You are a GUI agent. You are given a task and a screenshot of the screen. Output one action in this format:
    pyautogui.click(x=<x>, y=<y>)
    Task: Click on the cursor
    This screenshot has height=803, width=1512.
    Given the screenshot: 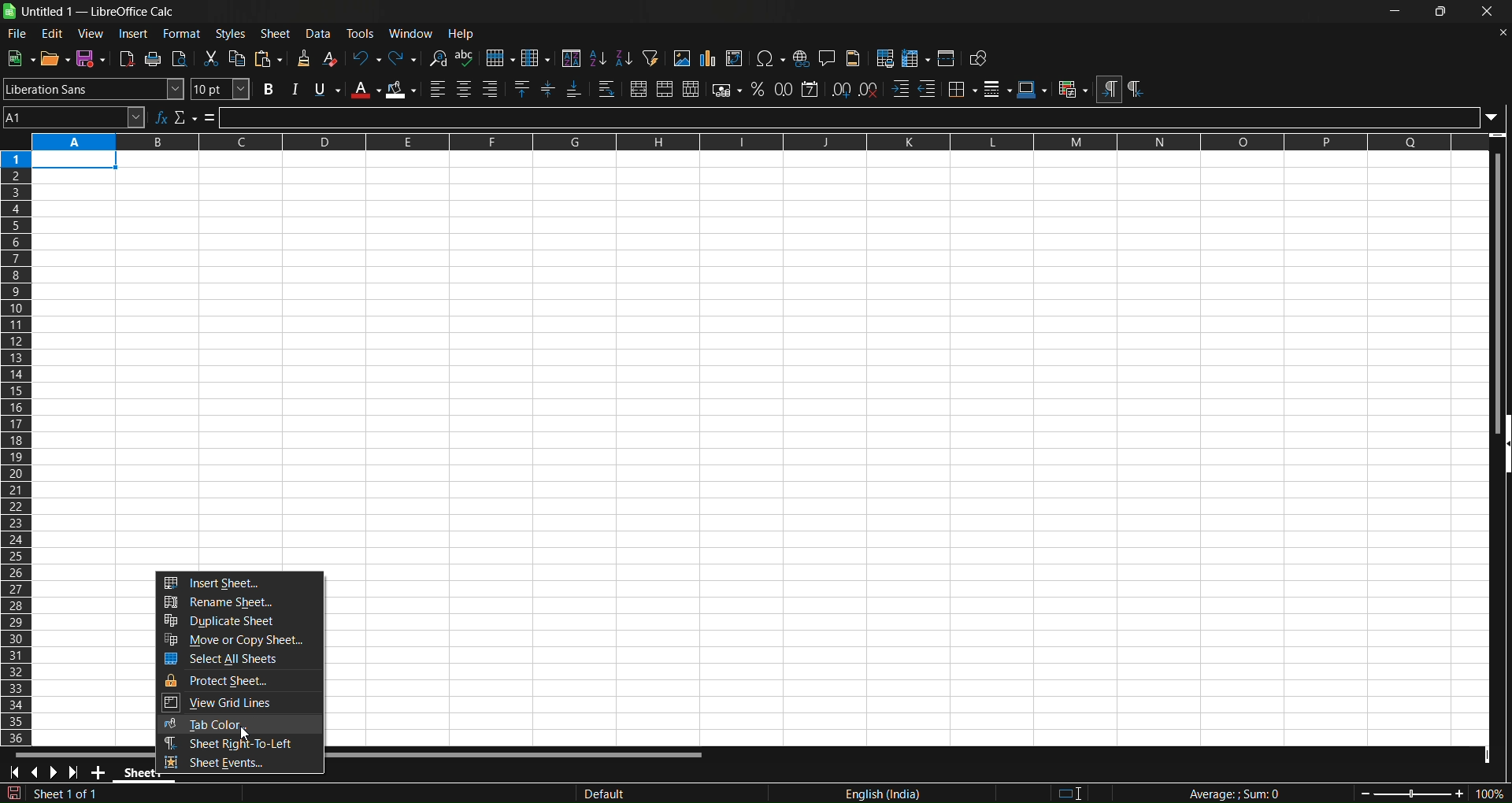 What is the action you would take?
    pyautogui.click(x=243, y=735)
    